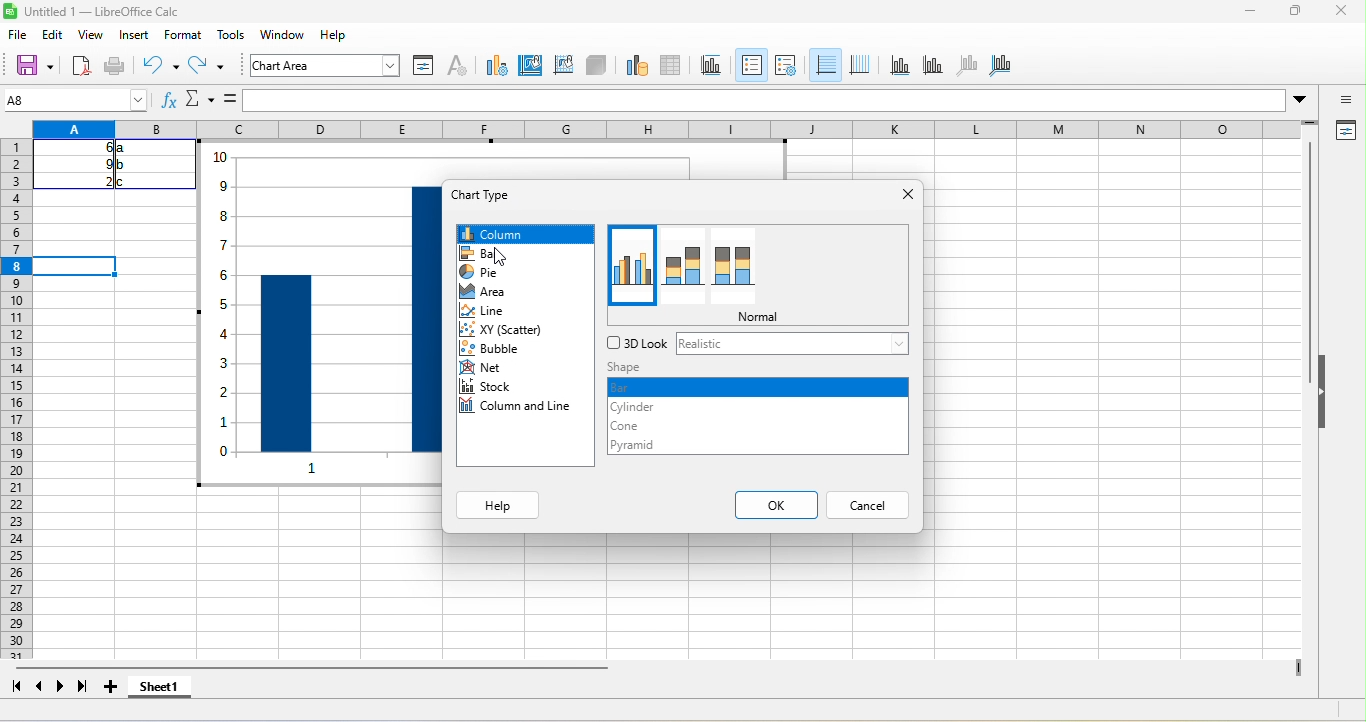 This screenshot has height=722, width=1366. Describe the element at coordinates (1339, 102) in the screenshot. I see `sidebar settings` at that location.